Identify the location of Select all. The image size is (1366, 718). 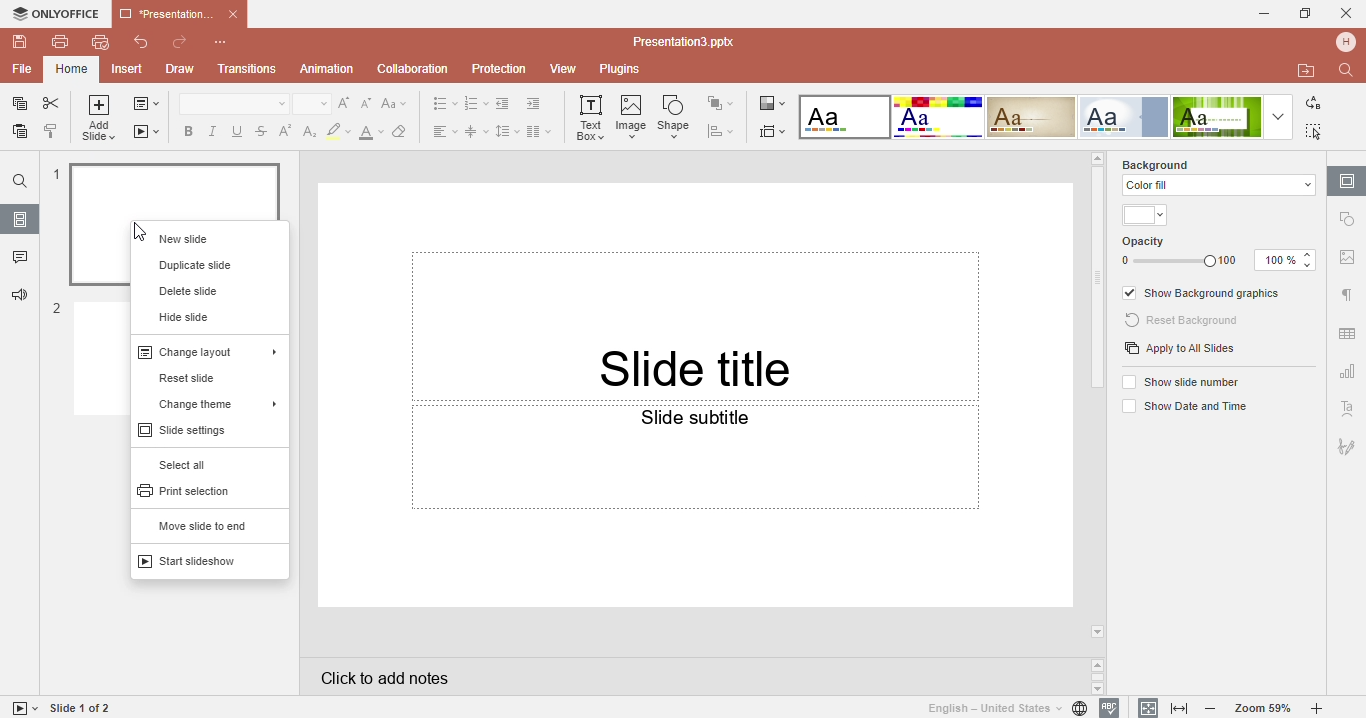
(1318, 131).